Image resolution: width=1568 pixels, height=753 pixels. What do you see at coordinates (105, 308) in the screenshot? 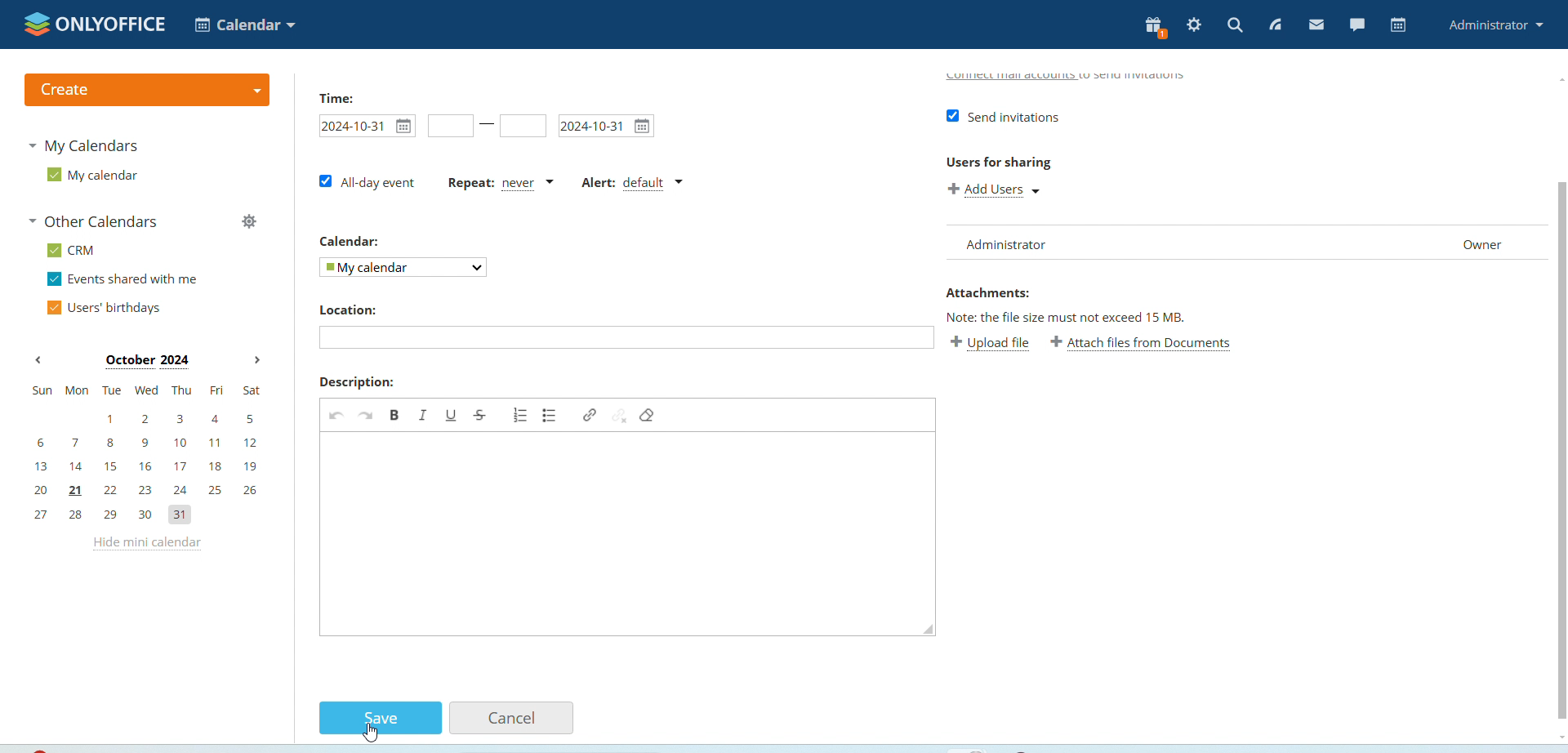
I see `users' birthdays` at bounding box center [105, 308].